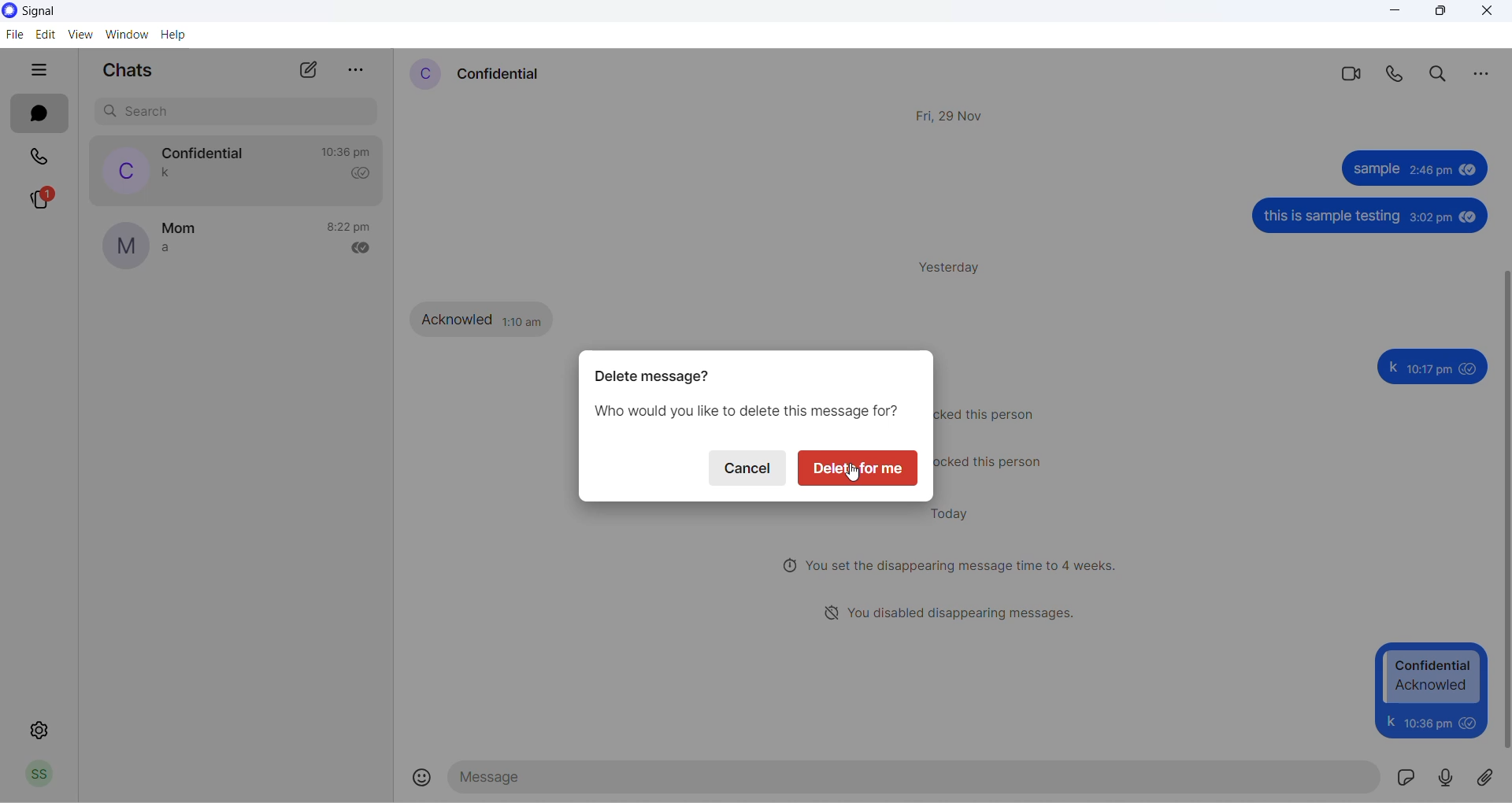 The height and width of the screenshot is (803, 1512). Describe the element at coordinates (1393, 75) in the screenshot. I see `voice call` at that location.